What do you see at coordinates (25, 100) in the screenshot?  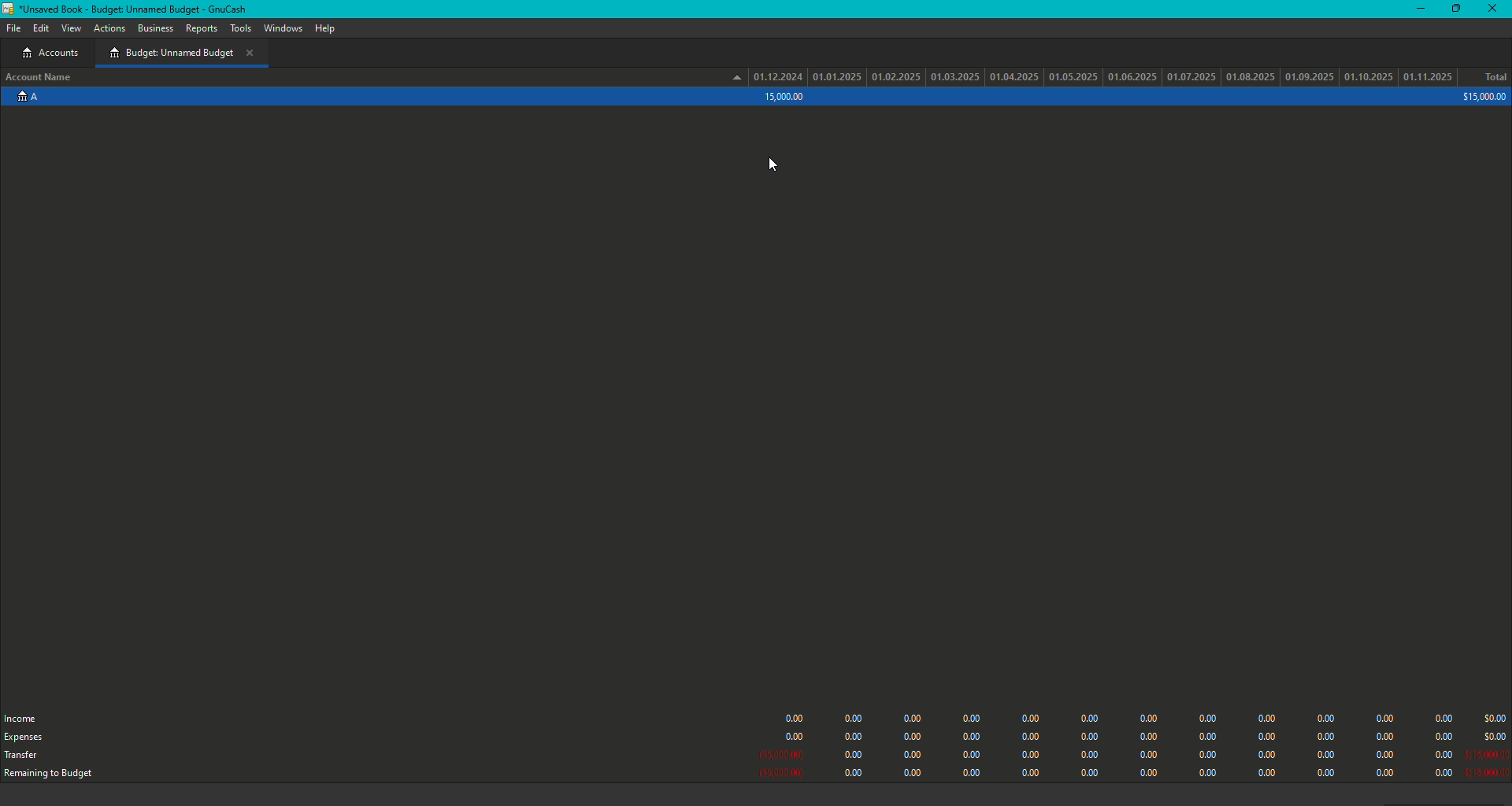 I see `Account A` at bounding box center [25, 100].